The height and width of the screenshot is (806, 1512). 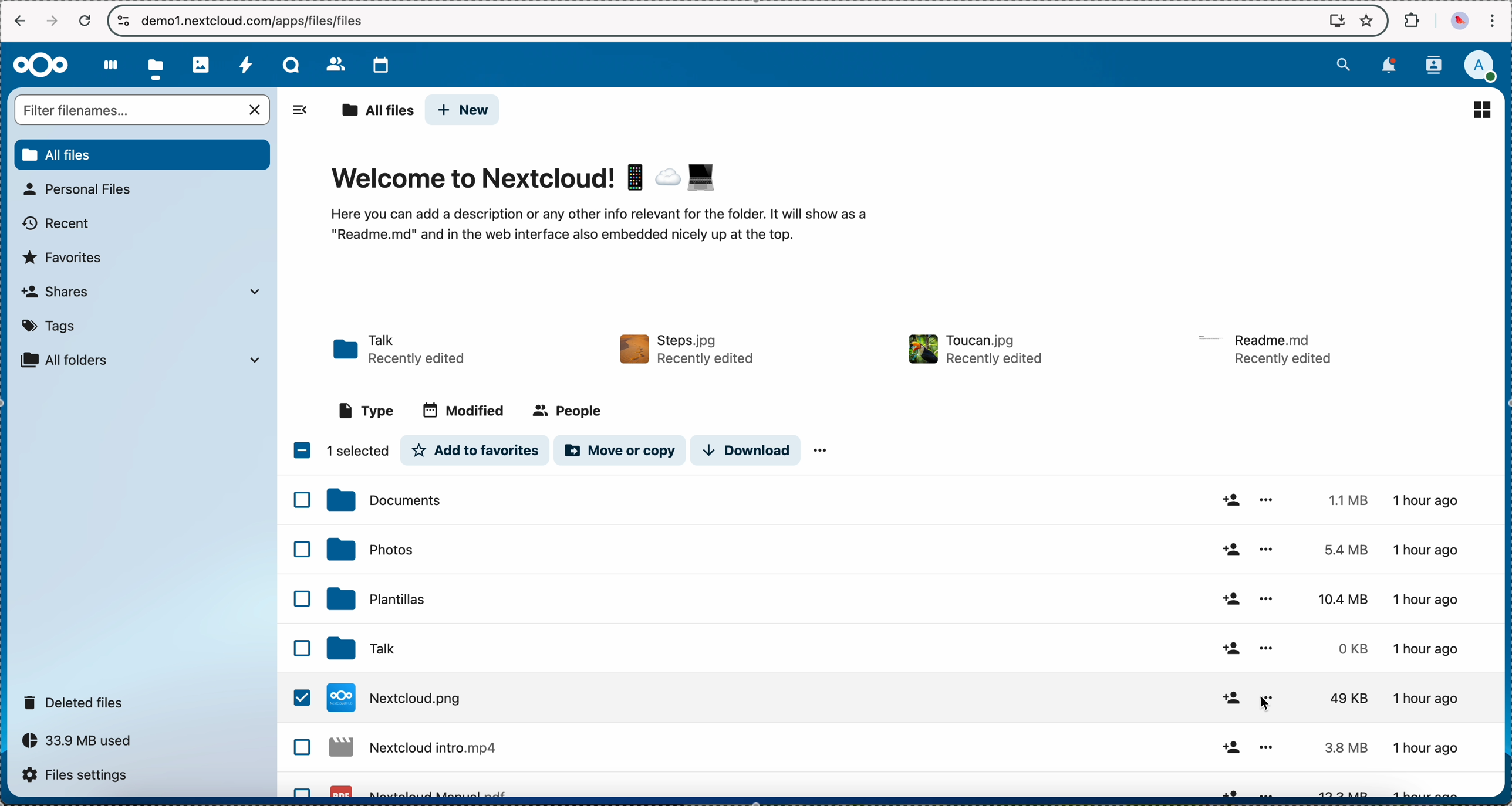 What do you see at coordinates (305, 110) in the screenshot?
I see `hide options` at bounding box center [305, 110].